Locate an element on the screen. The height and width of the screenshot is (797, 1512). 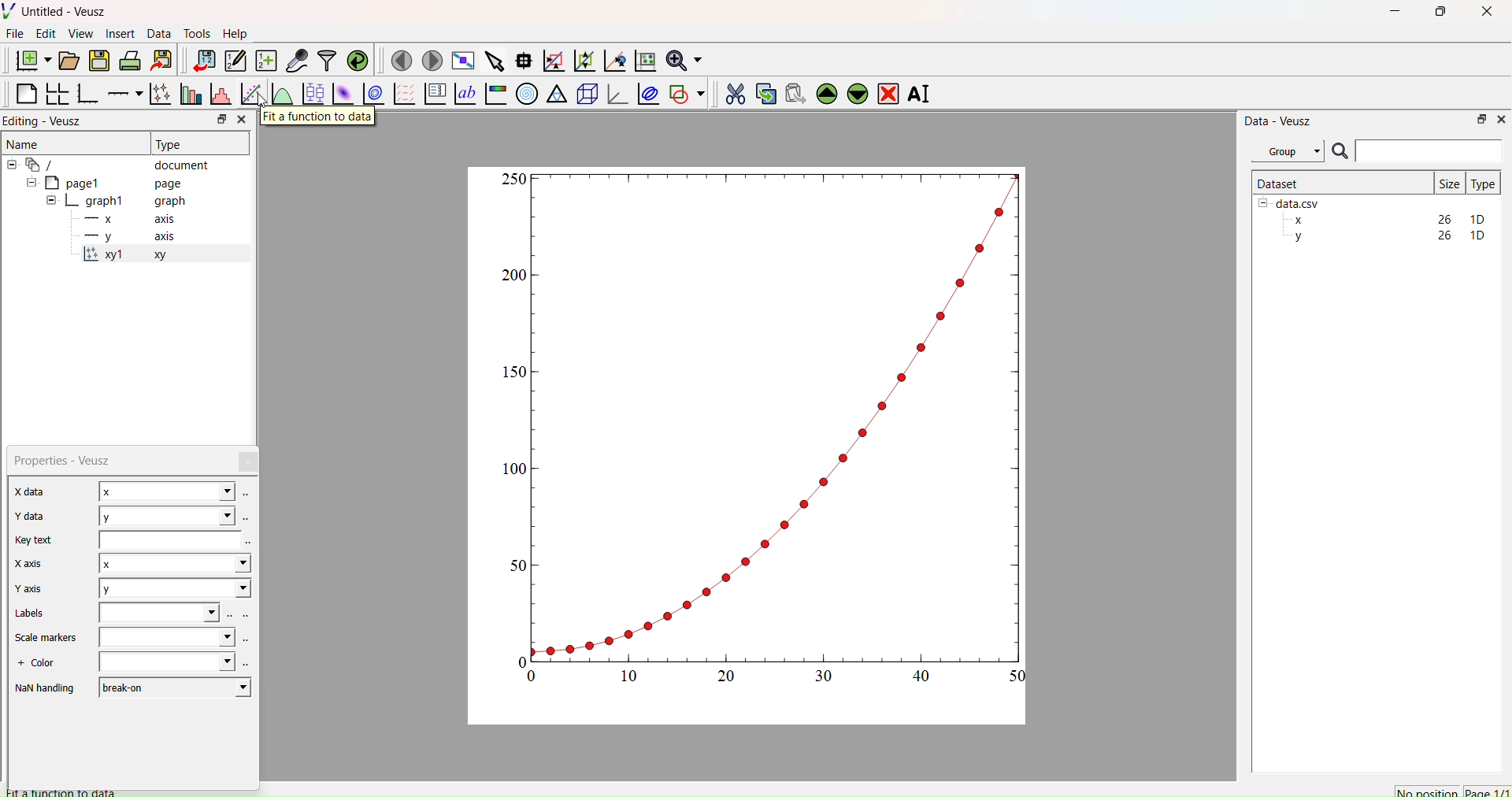
View is located at coordinates (80, 32).